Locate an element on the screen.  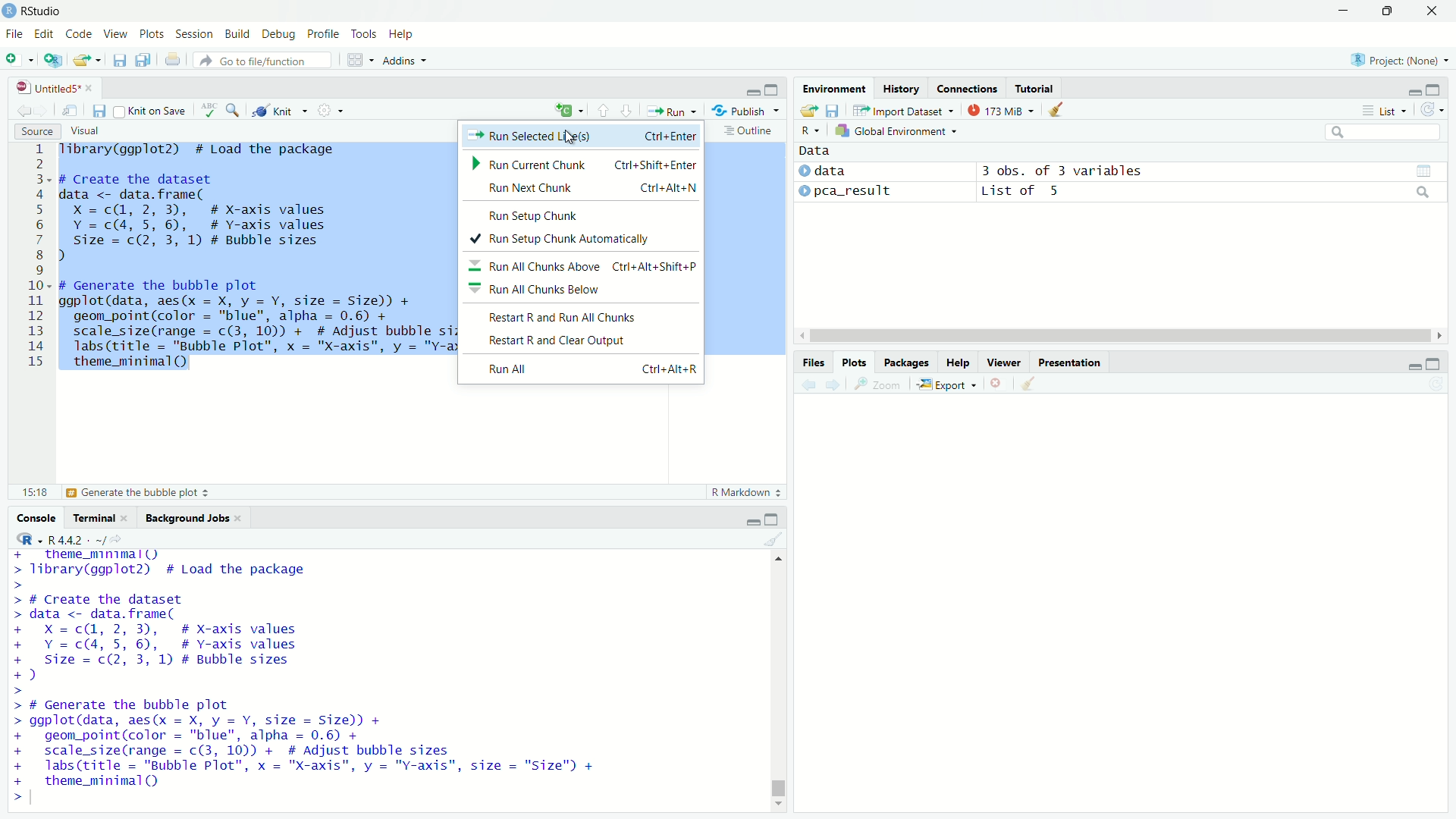
presentation is located at coordinates (1069, 362).